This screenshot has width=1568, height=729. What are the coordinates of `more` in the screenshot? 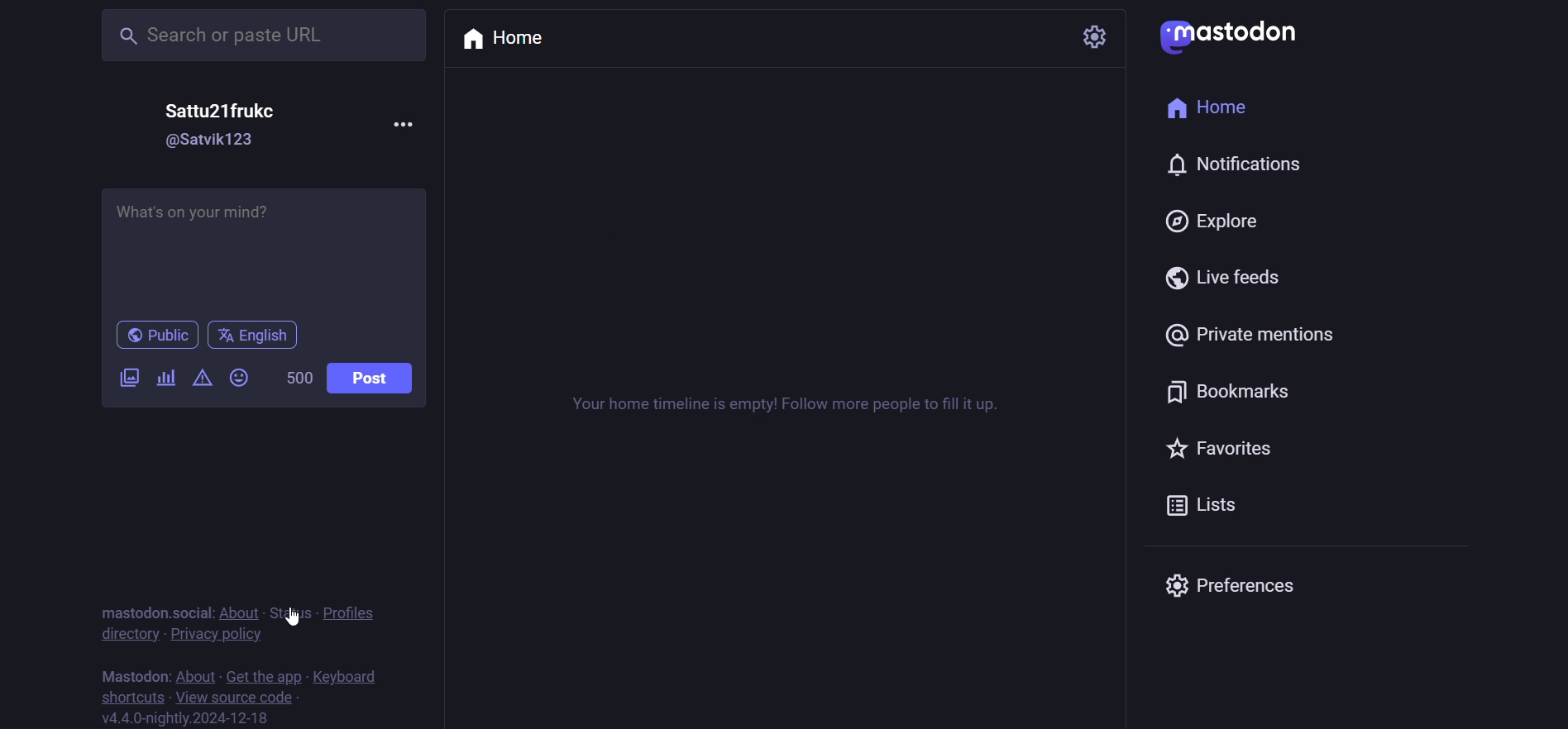 It's located at (408, 126).